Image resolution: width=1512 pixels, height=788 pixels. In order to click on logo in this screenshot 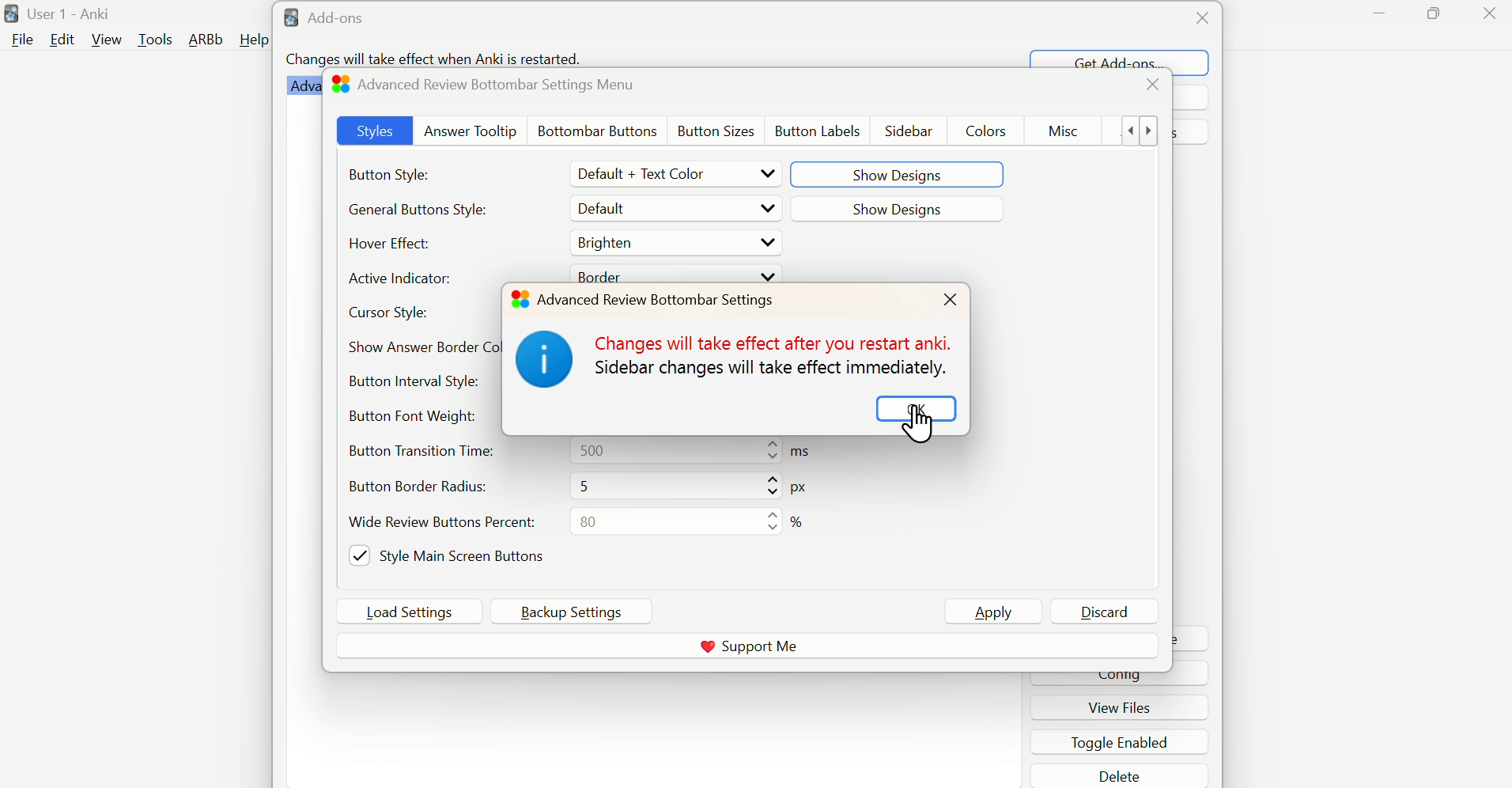, I will do `click(10, 13)`.